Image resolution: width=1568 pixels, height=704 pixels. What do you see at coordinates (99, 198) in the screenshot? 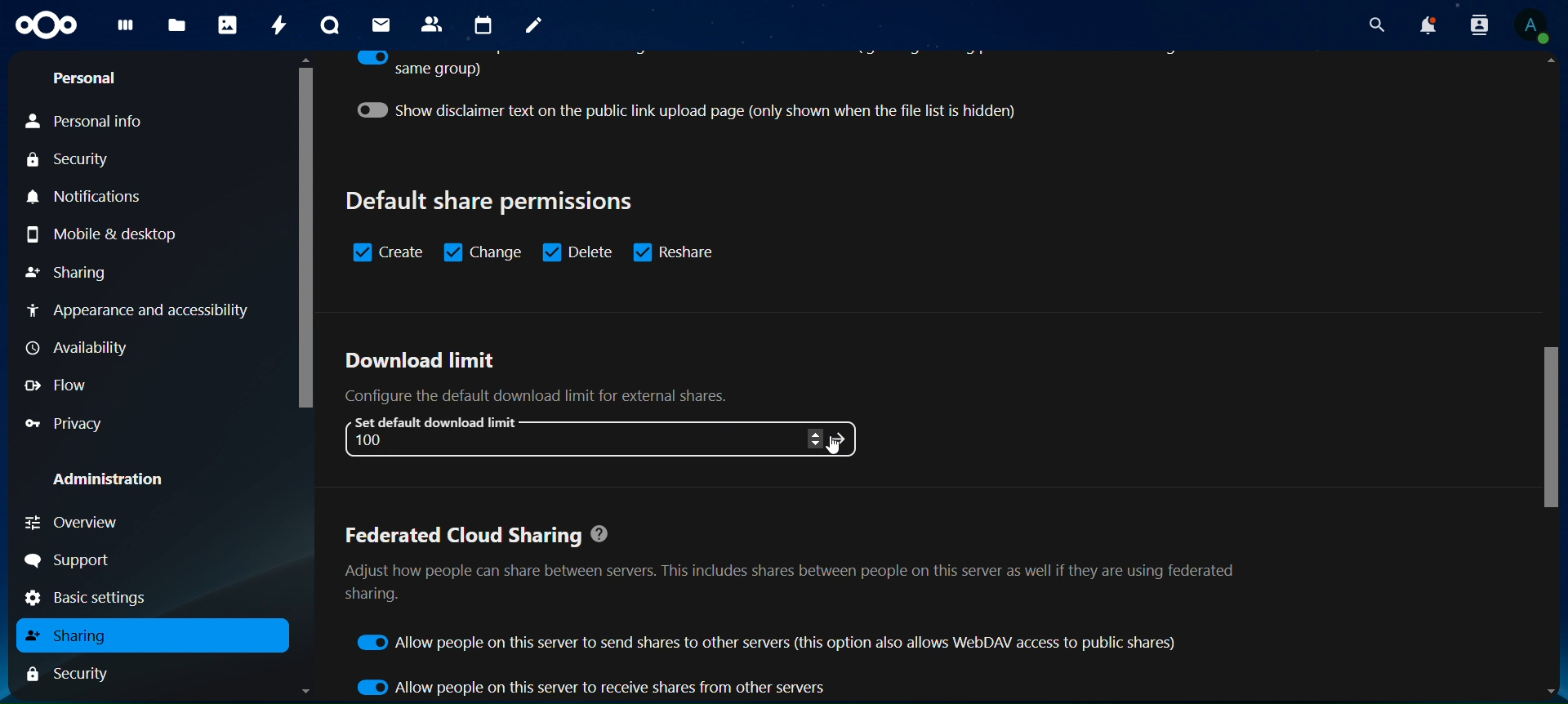
I see `notifications` at bounding box center [99, 198].